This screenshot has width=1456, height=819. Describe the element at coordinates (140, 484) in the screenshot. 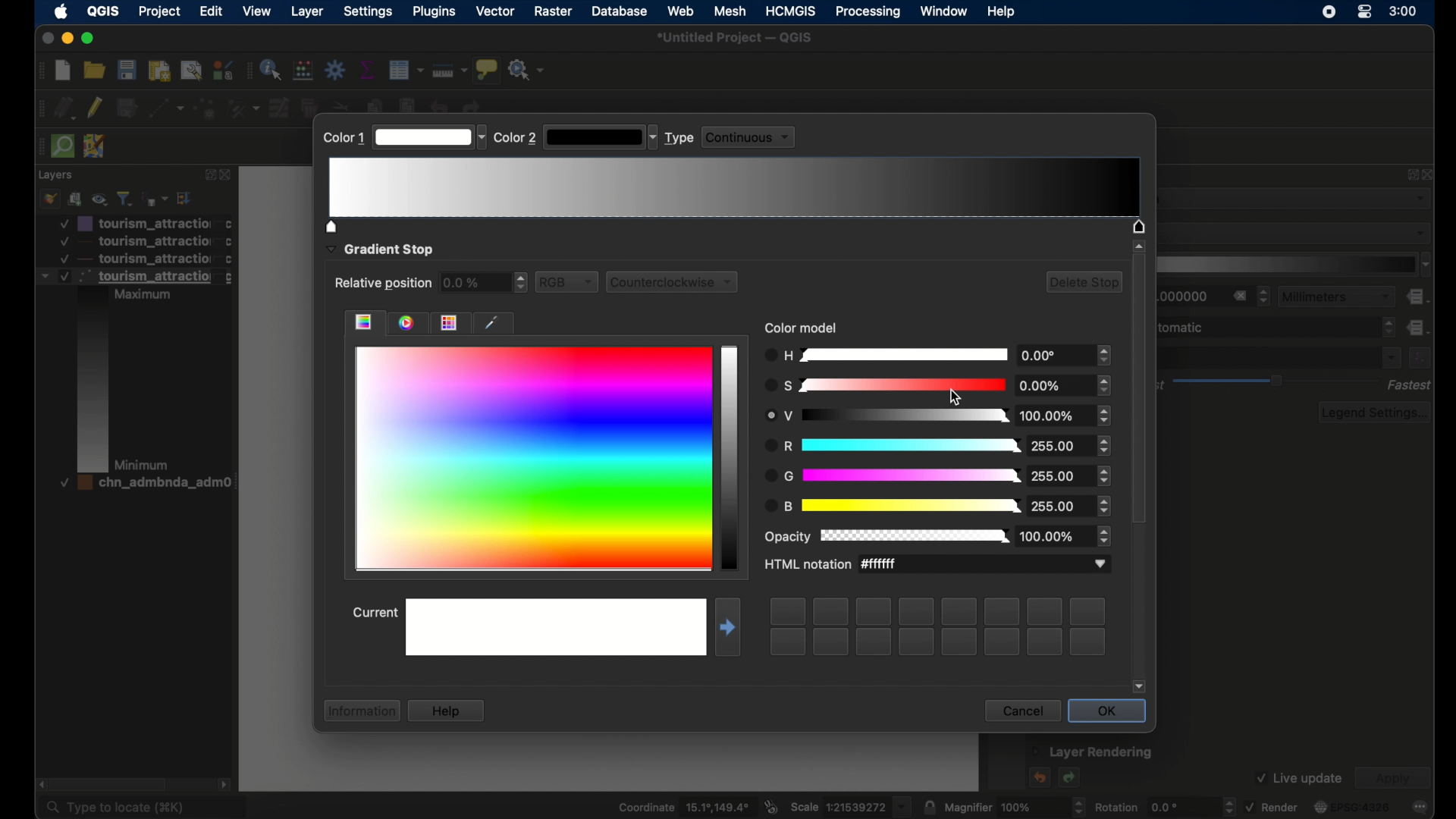

I see `layer 4` at that location.